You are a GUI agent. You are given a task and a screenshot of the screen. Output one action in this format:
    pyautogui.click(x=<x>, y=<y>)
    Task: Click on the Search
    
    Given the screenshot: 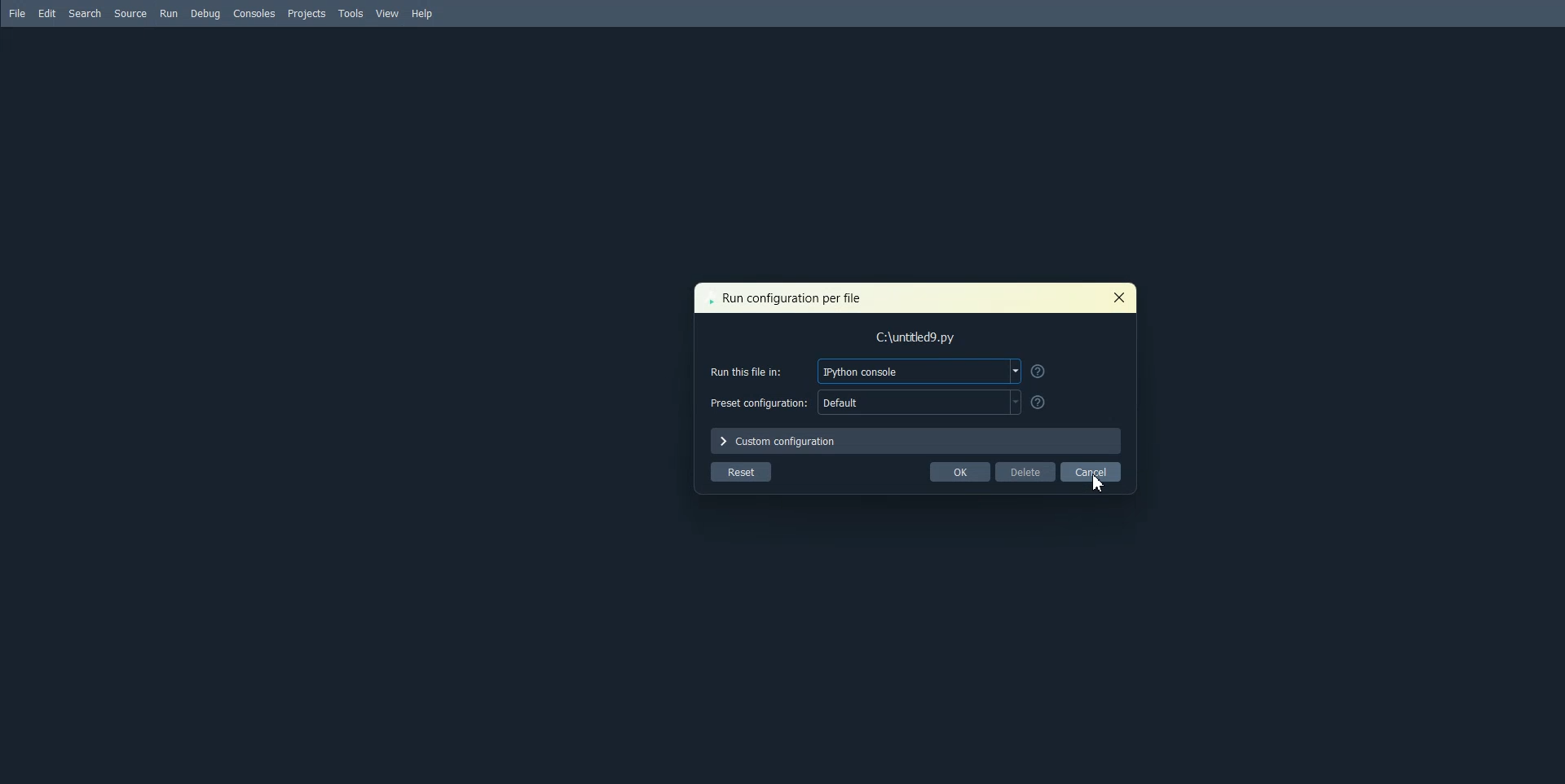 What is the action you would take?
    pyautogui.click(x=85, y=14)
    